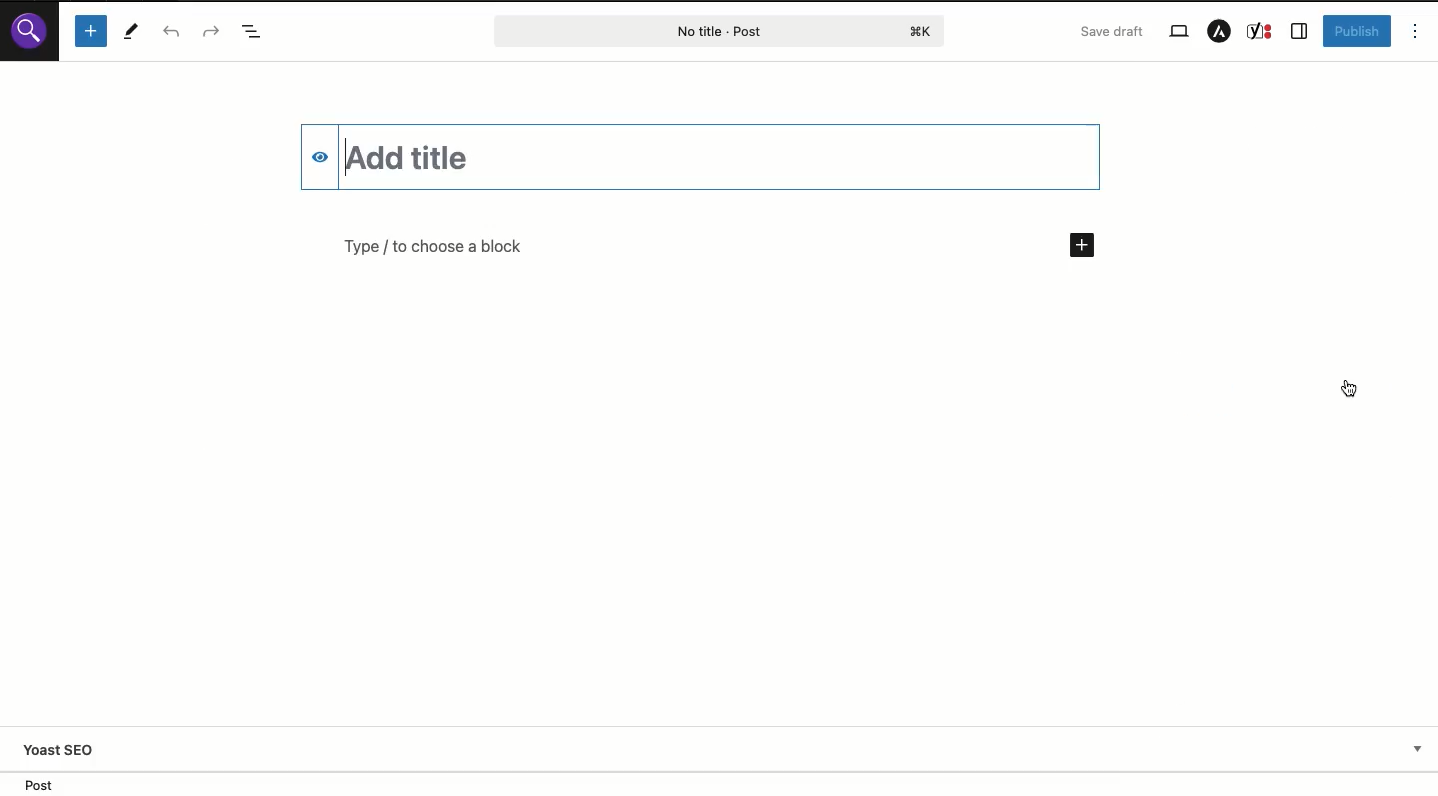 The height and width of the screenshot is (796, 1438). I want to click on Post, so click(717, 31).